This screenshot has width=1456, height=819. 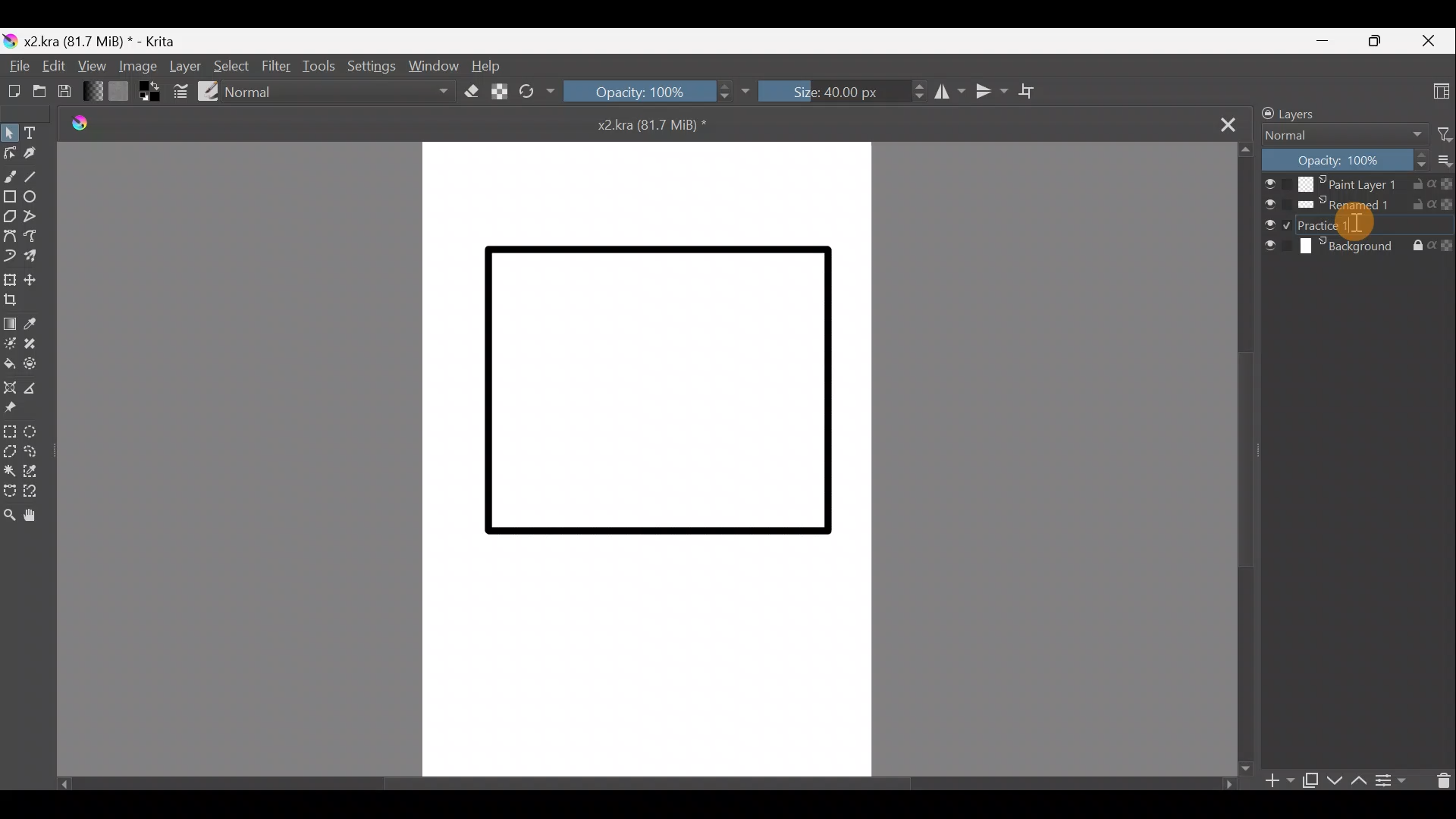 I want to click on Text tool, so click(x=35, y=132).